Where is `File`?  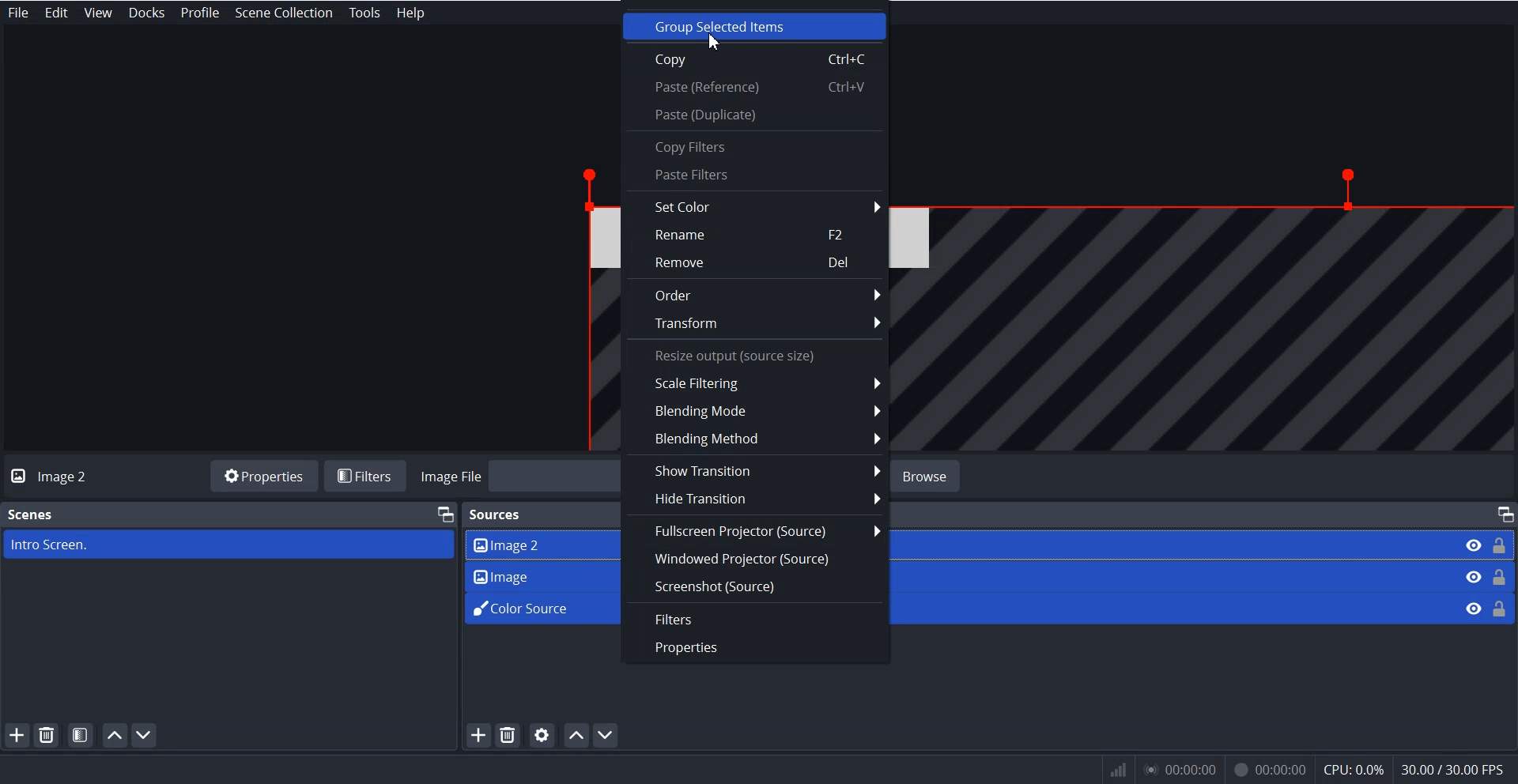 File is located at coordinates (19, 13).